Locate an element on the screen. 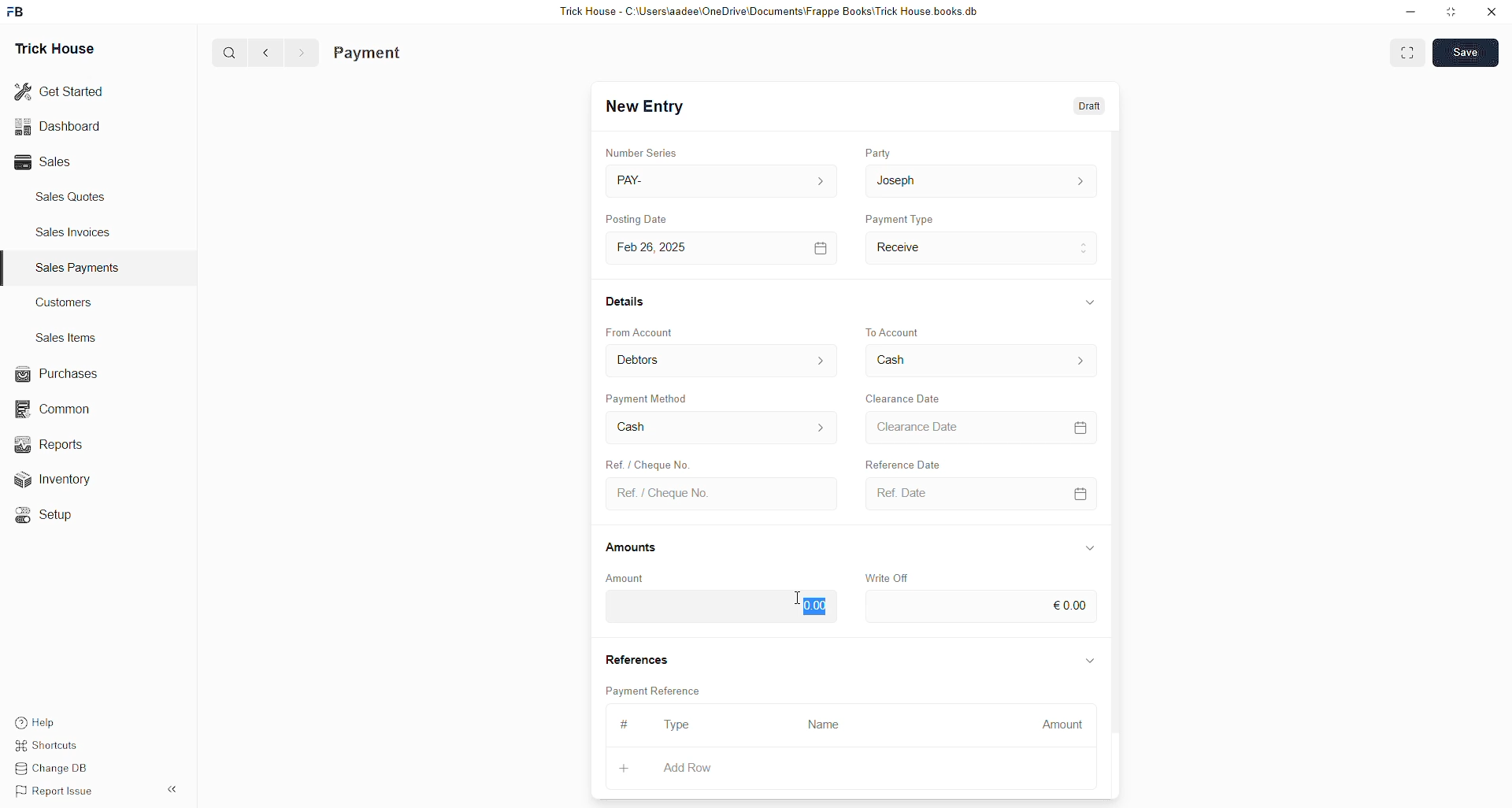  €0.00 is located at coordinates (982, 606).